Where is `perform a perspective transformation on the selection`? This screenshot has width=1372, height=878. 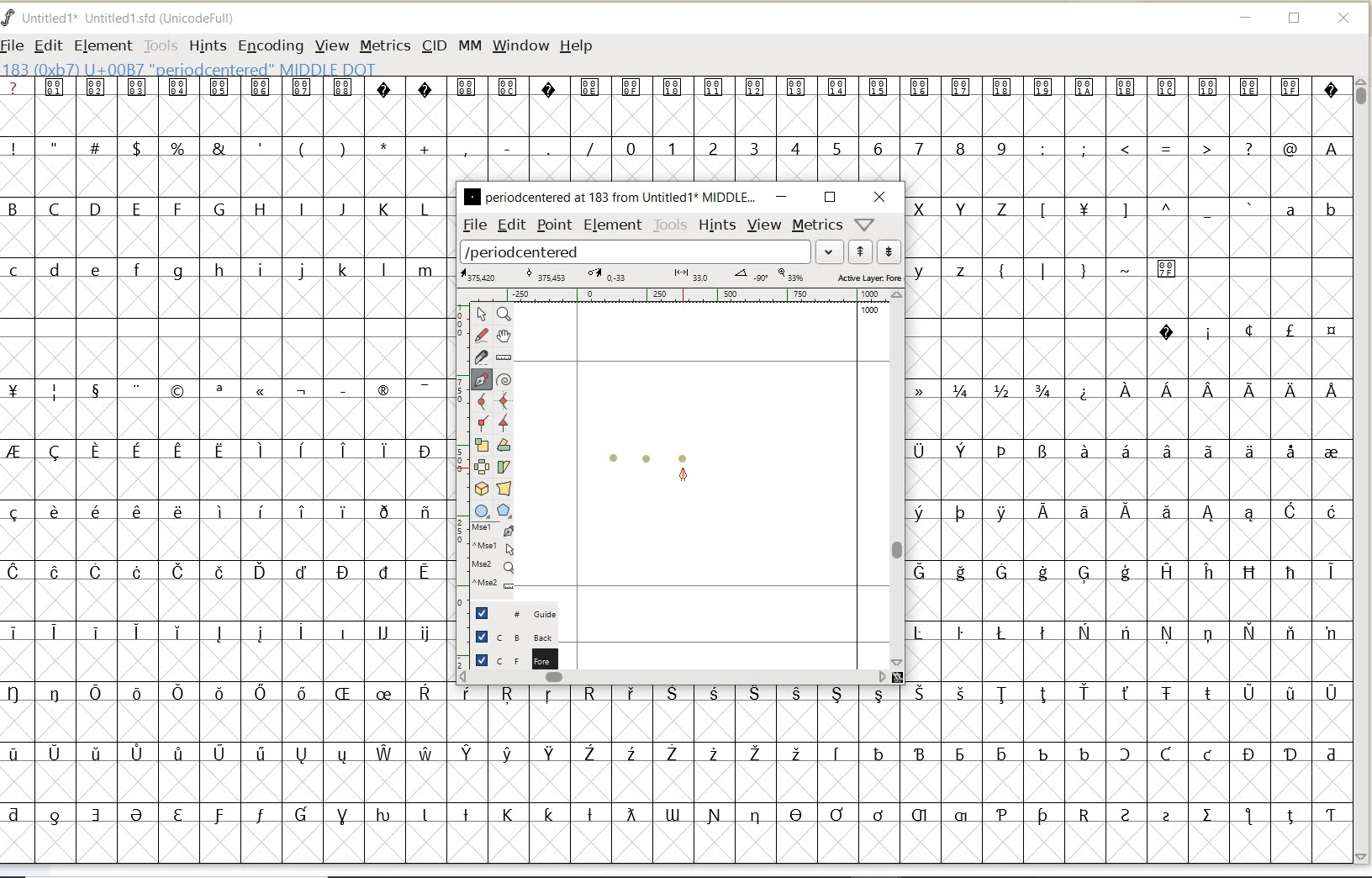
perform a perspective transformation on the selection is located at coordinates (504, 489).